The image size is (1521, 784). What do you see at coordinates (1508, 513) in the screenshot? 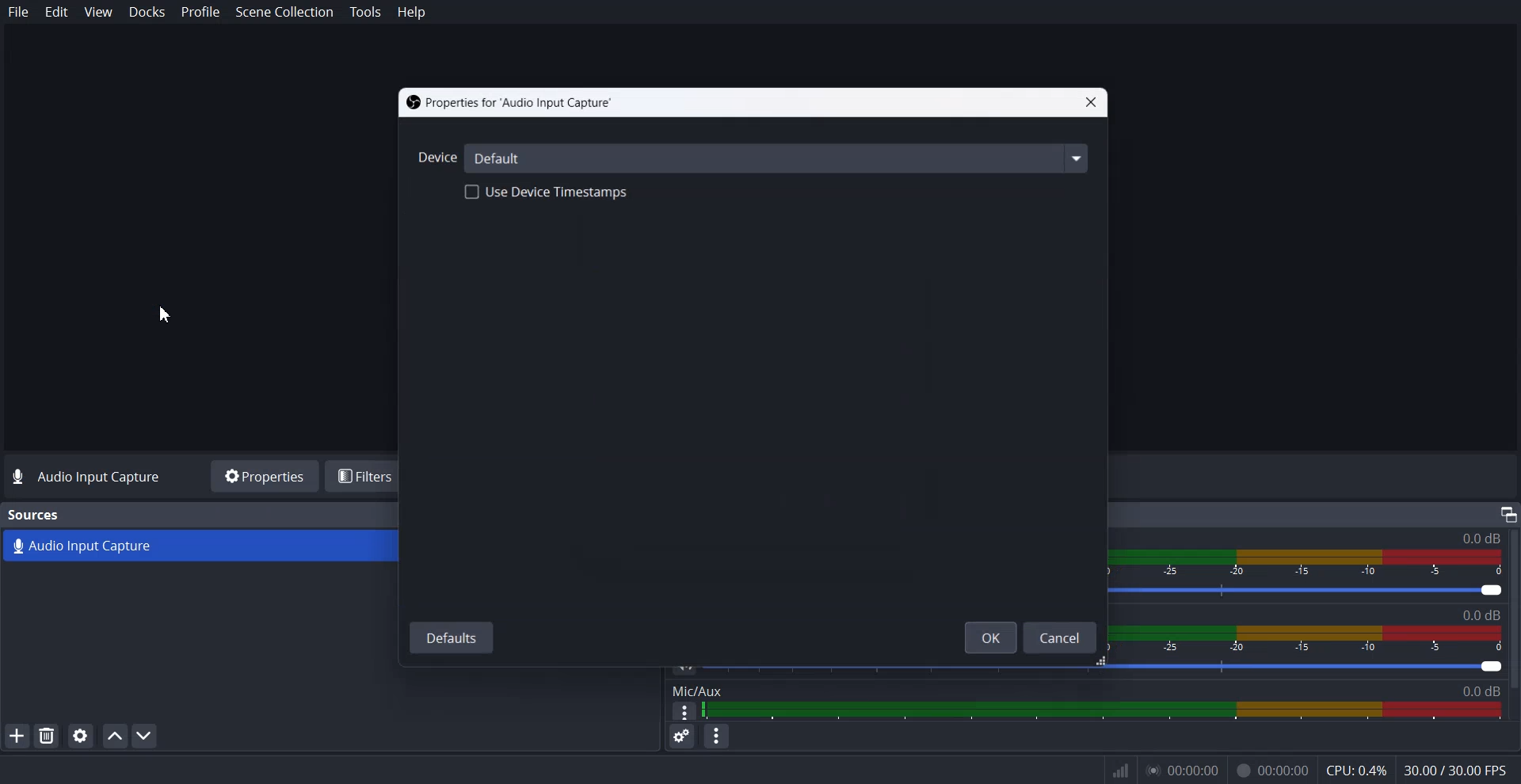
I see `Minimize` at bounding box center [1508, 513].